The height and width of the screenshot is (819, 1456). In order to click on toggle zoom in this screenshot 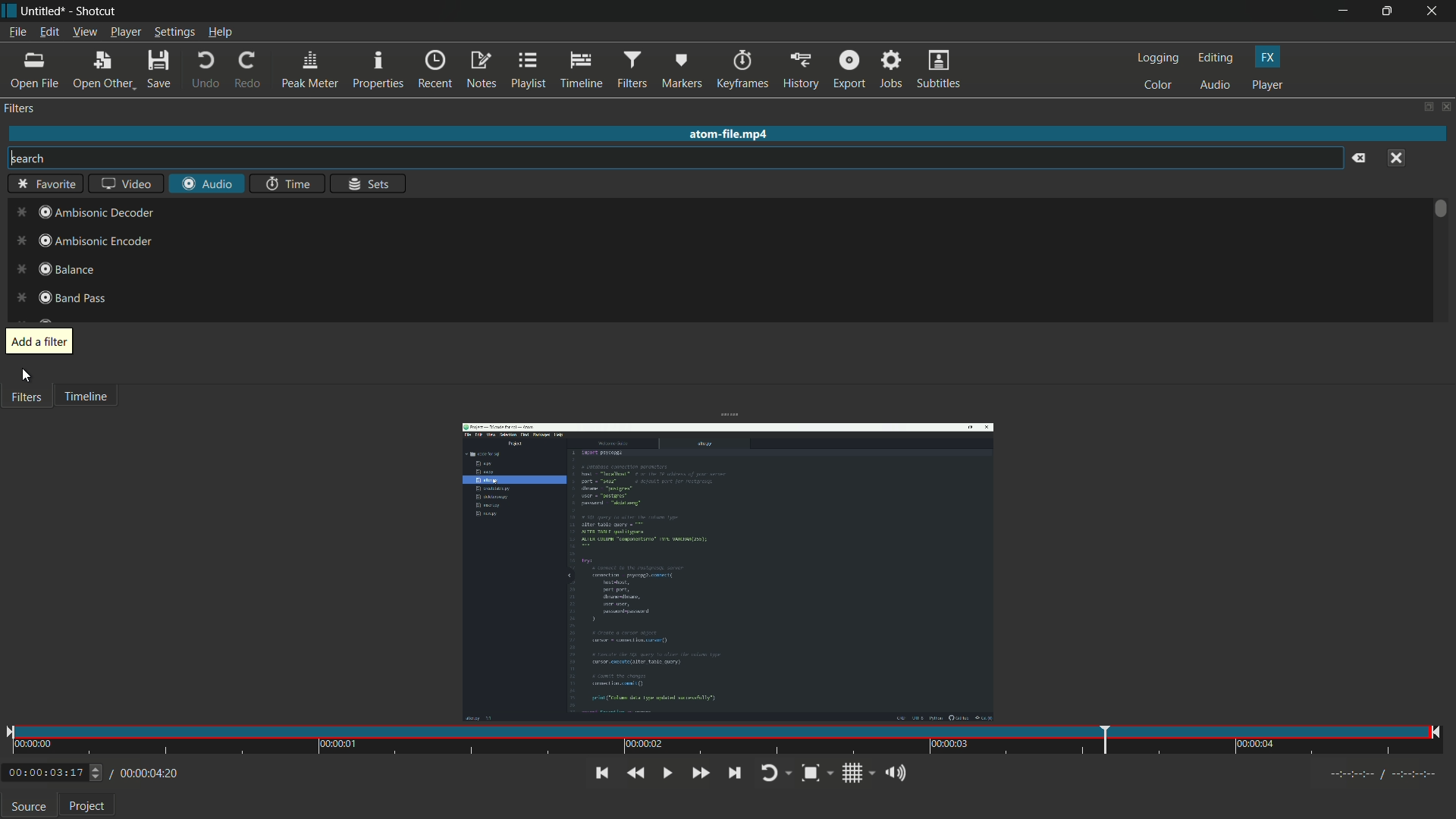, I will do `click(817, 773)`.